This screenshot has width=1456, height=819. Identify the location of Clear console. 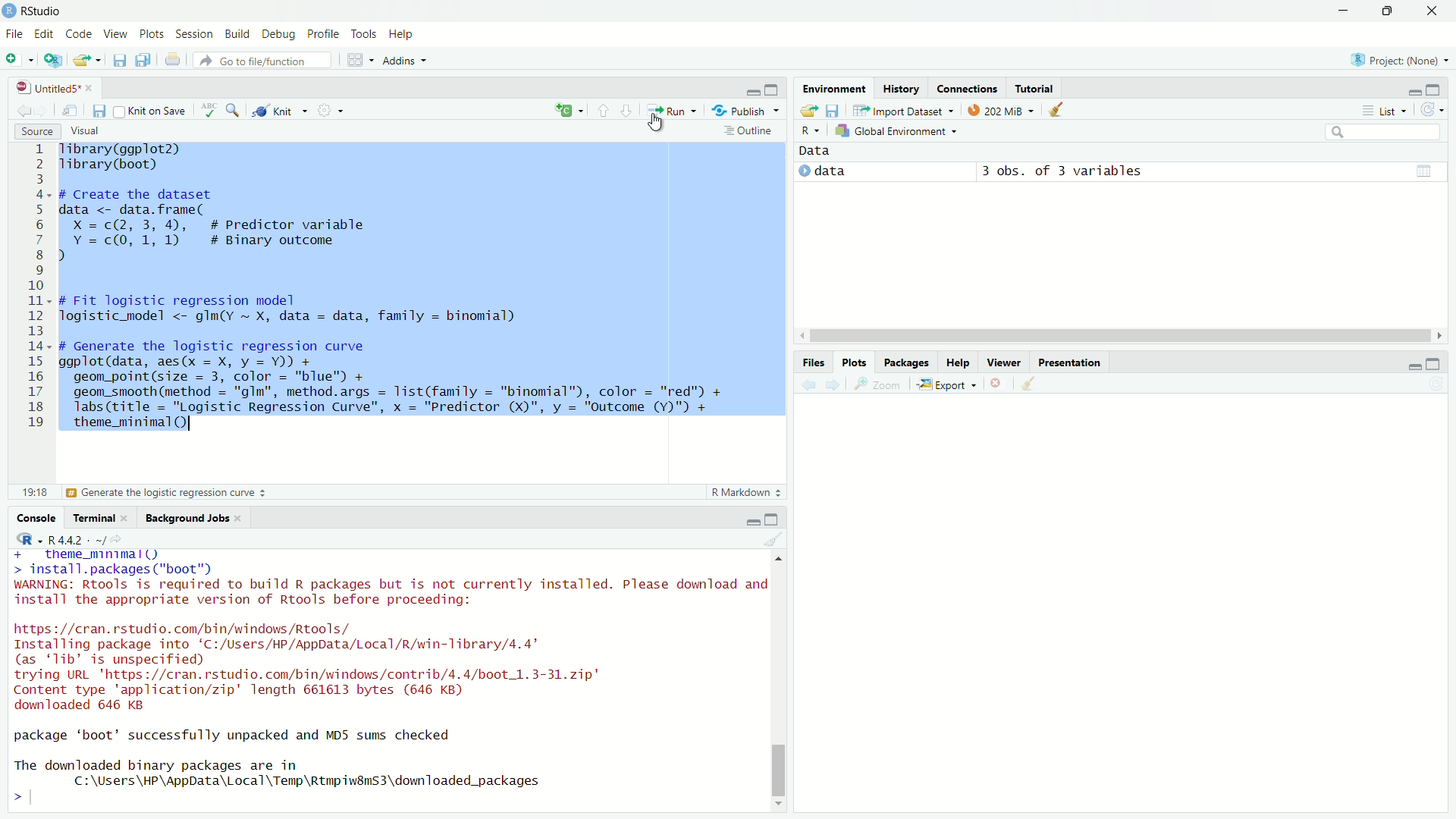
(773, 538).